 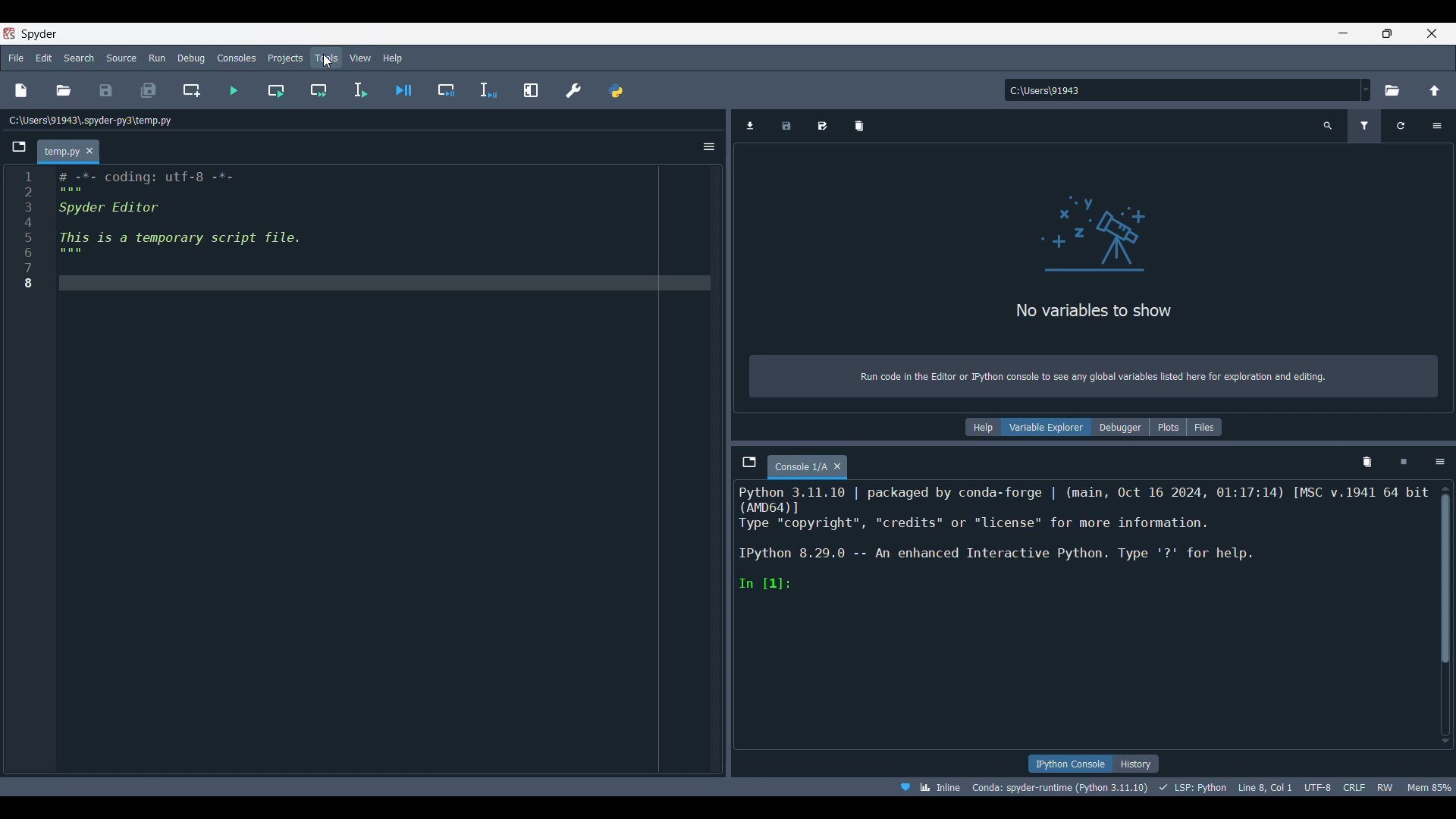 What do you see at coordinates (1316, 787) in the screenshot?
I see `UTF-8` at bounding box center [1316, 787].